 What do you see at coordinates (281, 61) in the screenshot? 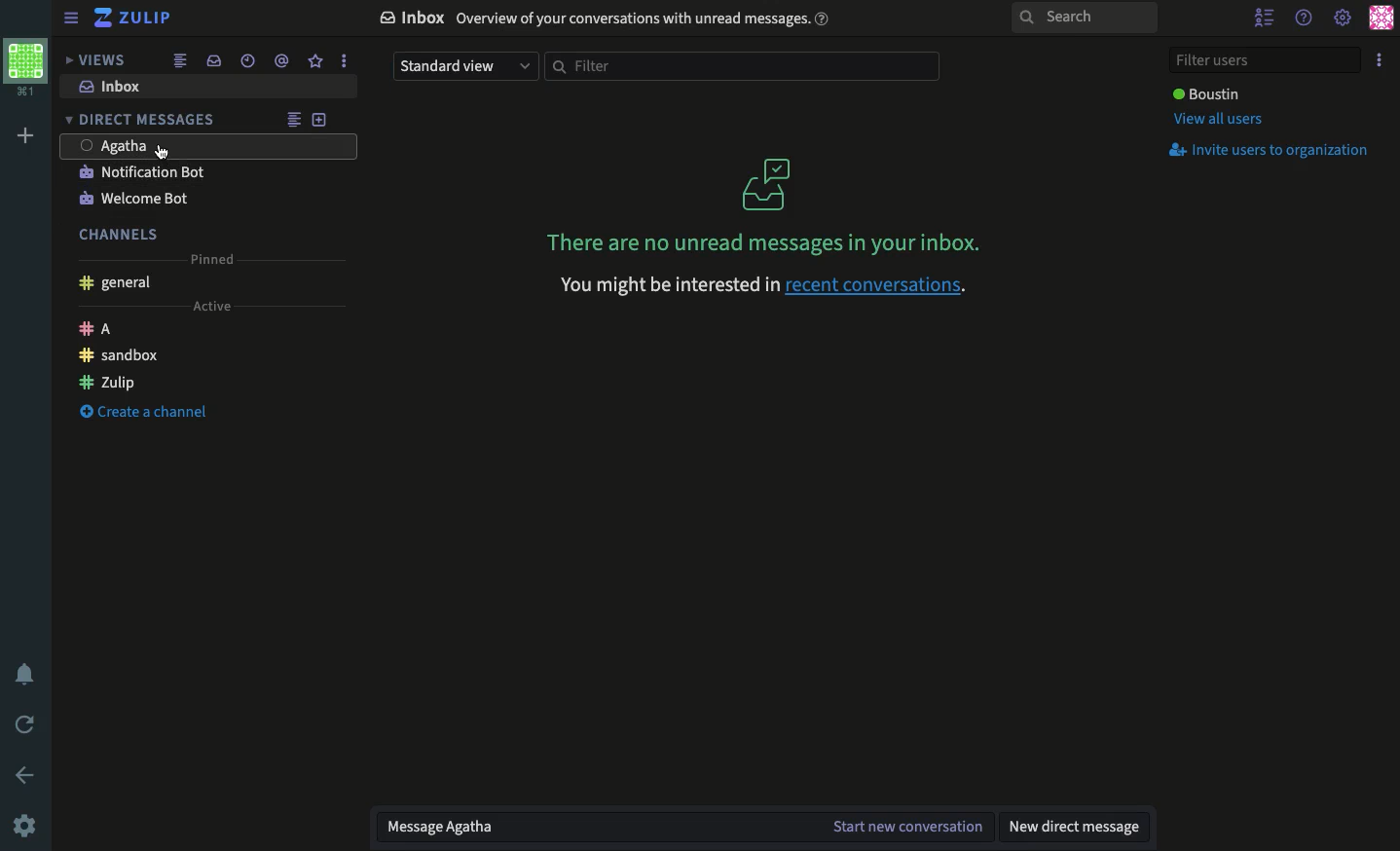
I see `Tag` at bounding box center [281, 61].